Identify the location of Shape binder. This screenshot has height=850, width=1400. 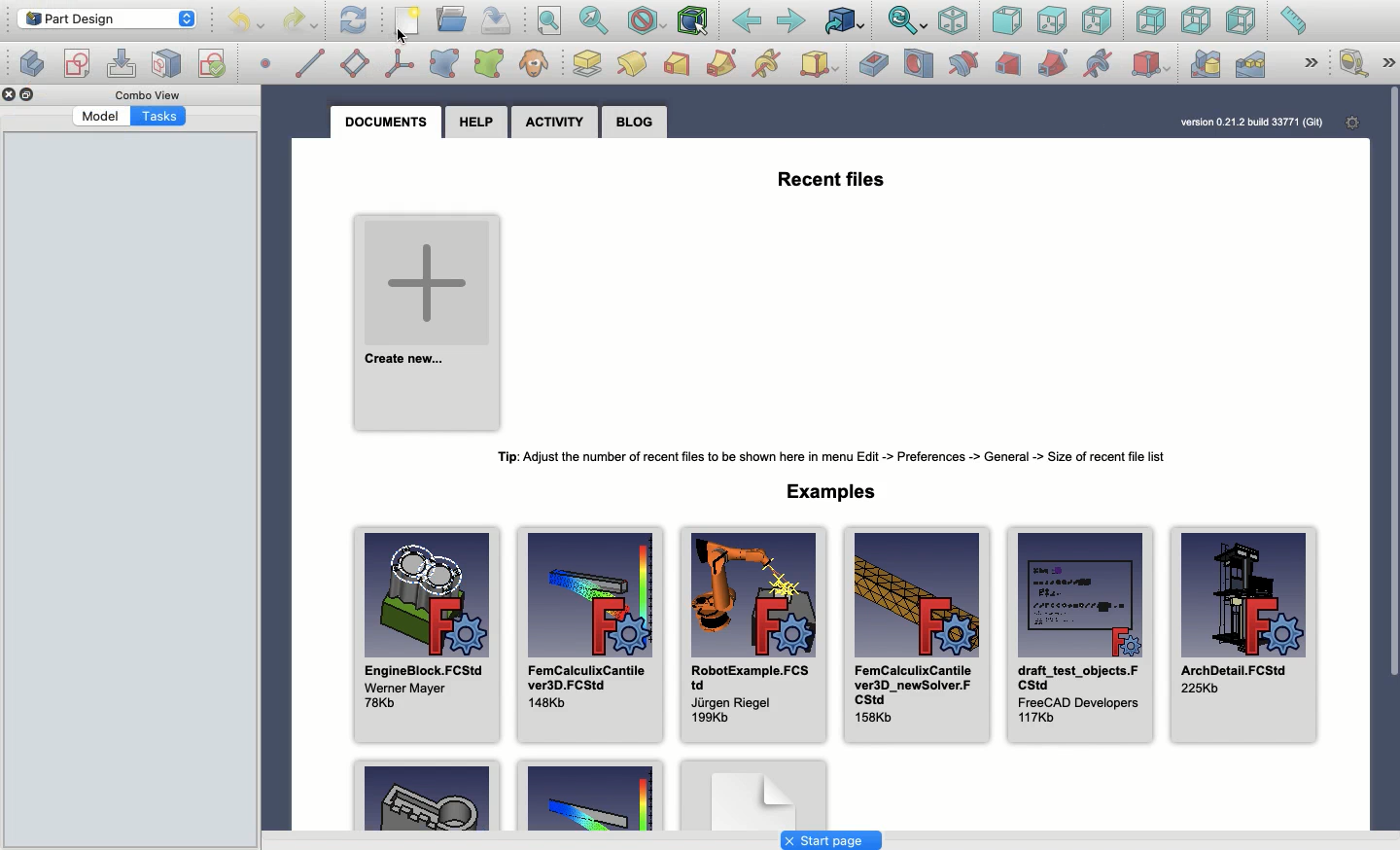
(444, 63).